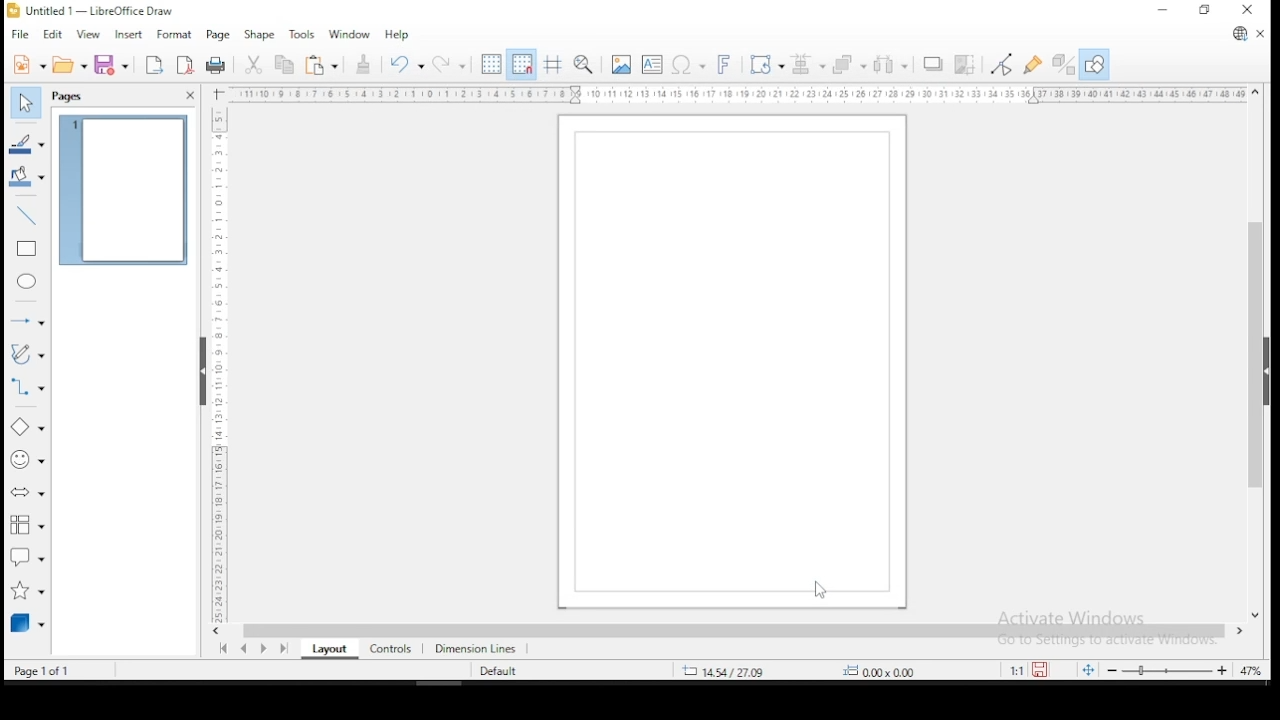  I want to click on close pane, so click(186, 96).